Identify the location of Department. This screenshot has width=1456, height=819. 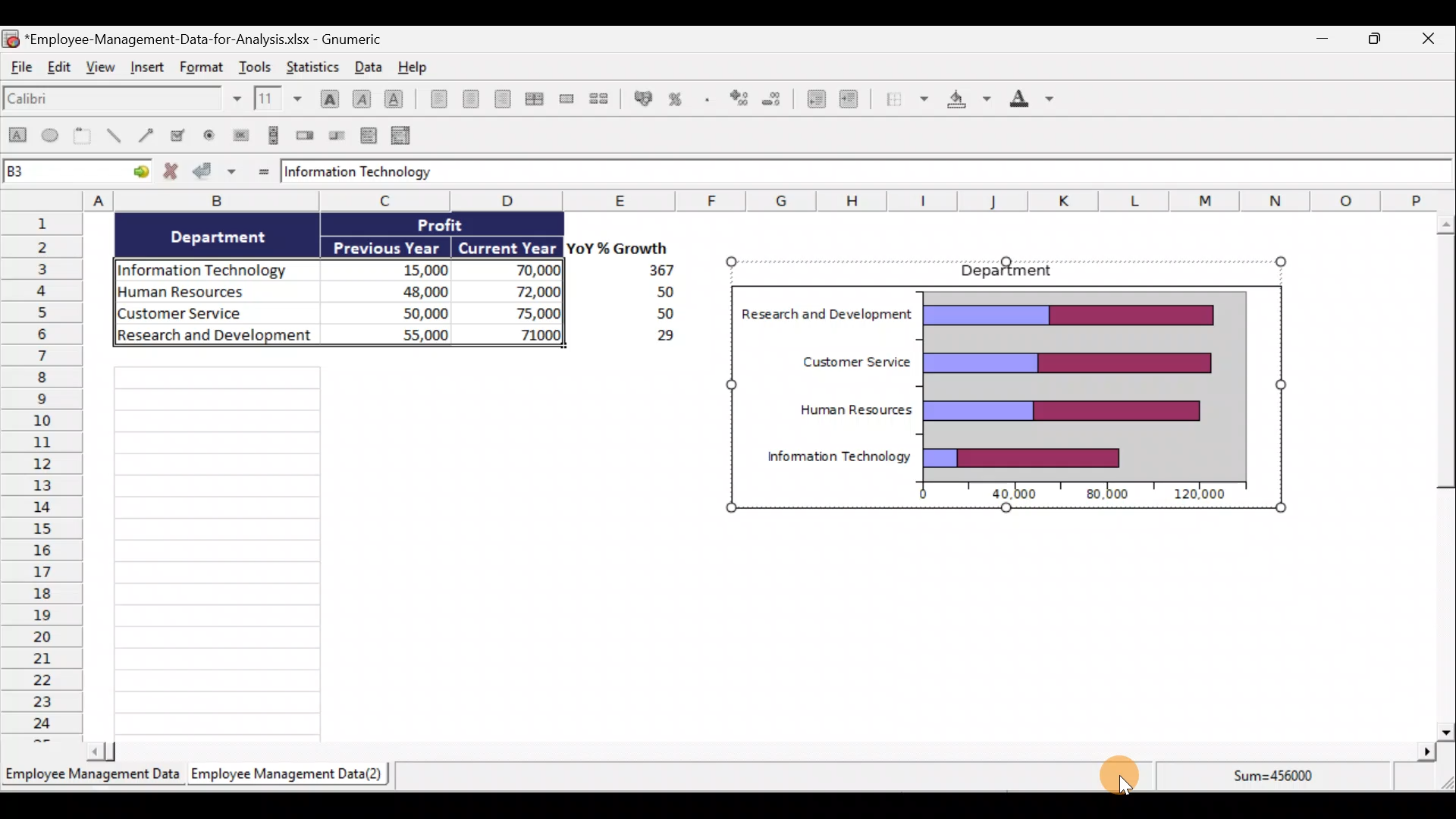
(1016, 271).